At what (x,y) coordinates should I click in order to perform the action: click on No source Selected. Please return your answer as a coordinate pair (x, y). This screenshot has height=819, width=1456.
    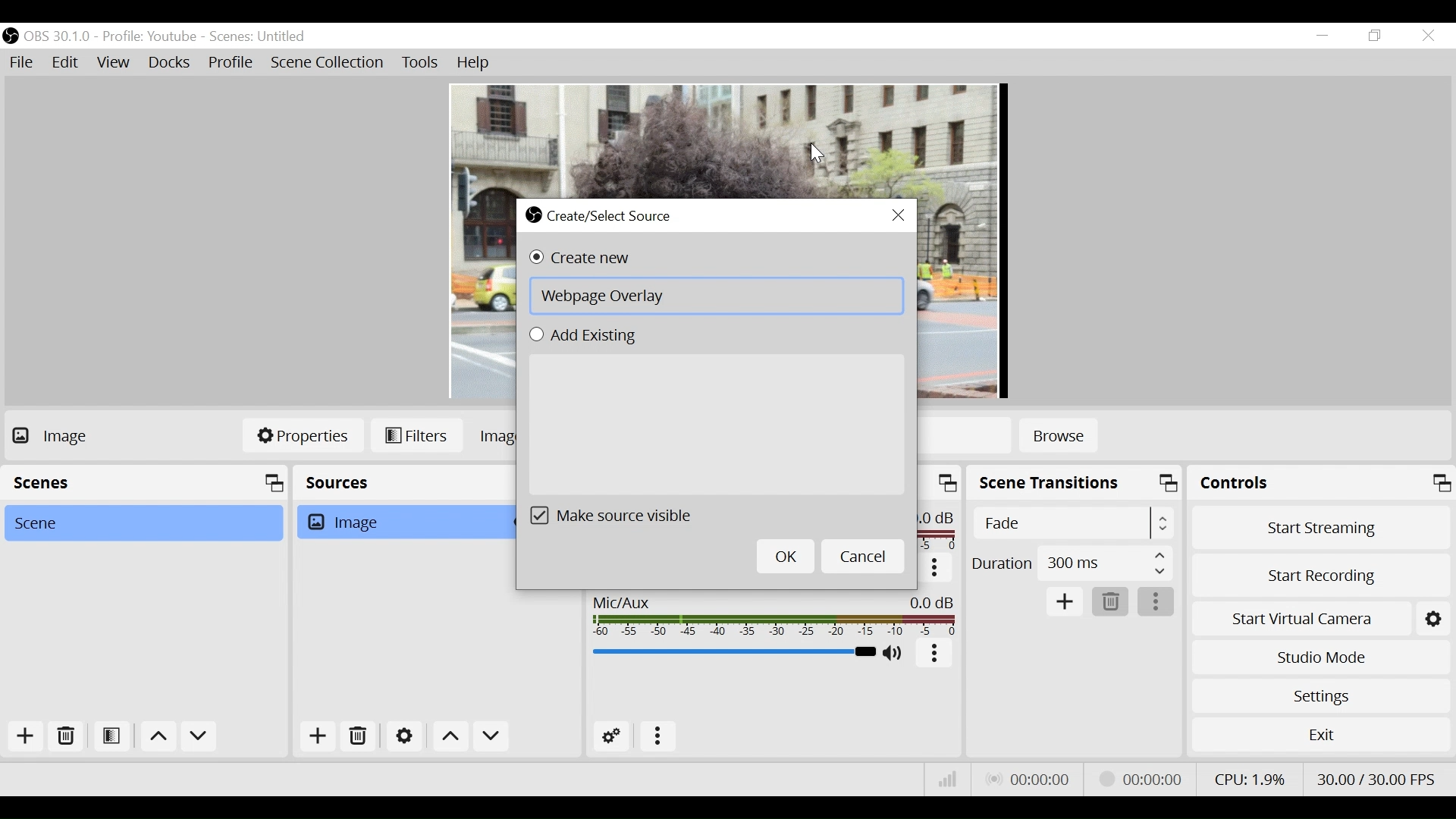
    Looking at the image, I should click on (80, 438).